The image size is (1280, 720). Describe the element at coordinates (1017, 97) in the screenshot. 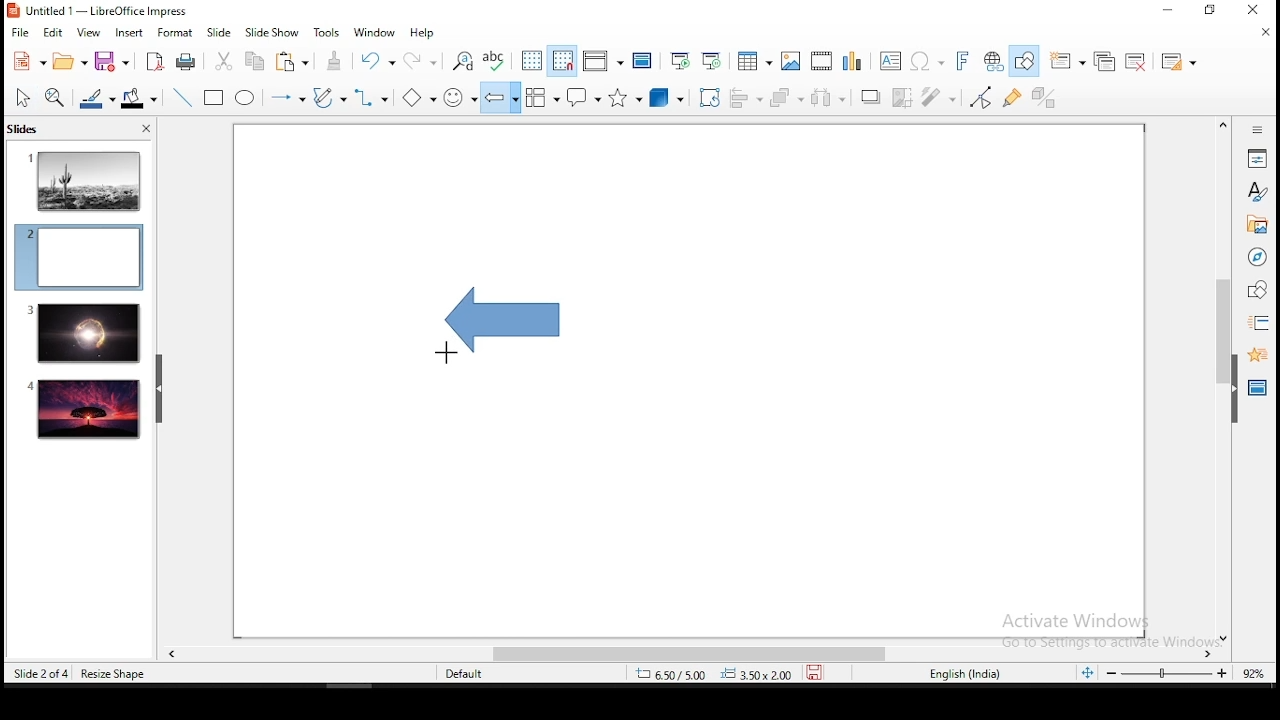

I see `show gluepoint functions` at that location.